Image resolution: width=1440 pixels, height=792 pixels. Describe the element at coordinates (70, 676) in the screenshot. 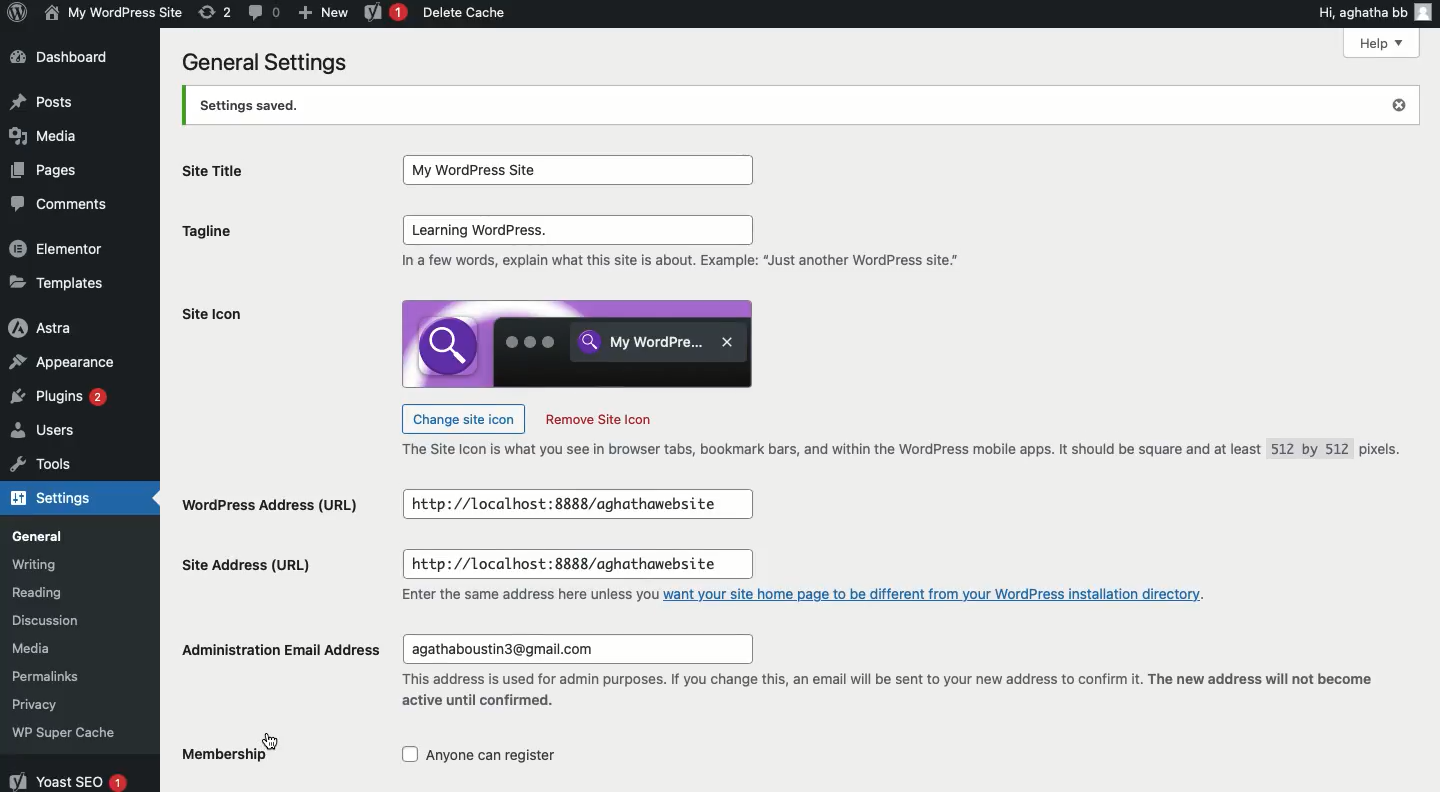

I see `Permalinks` at that location.